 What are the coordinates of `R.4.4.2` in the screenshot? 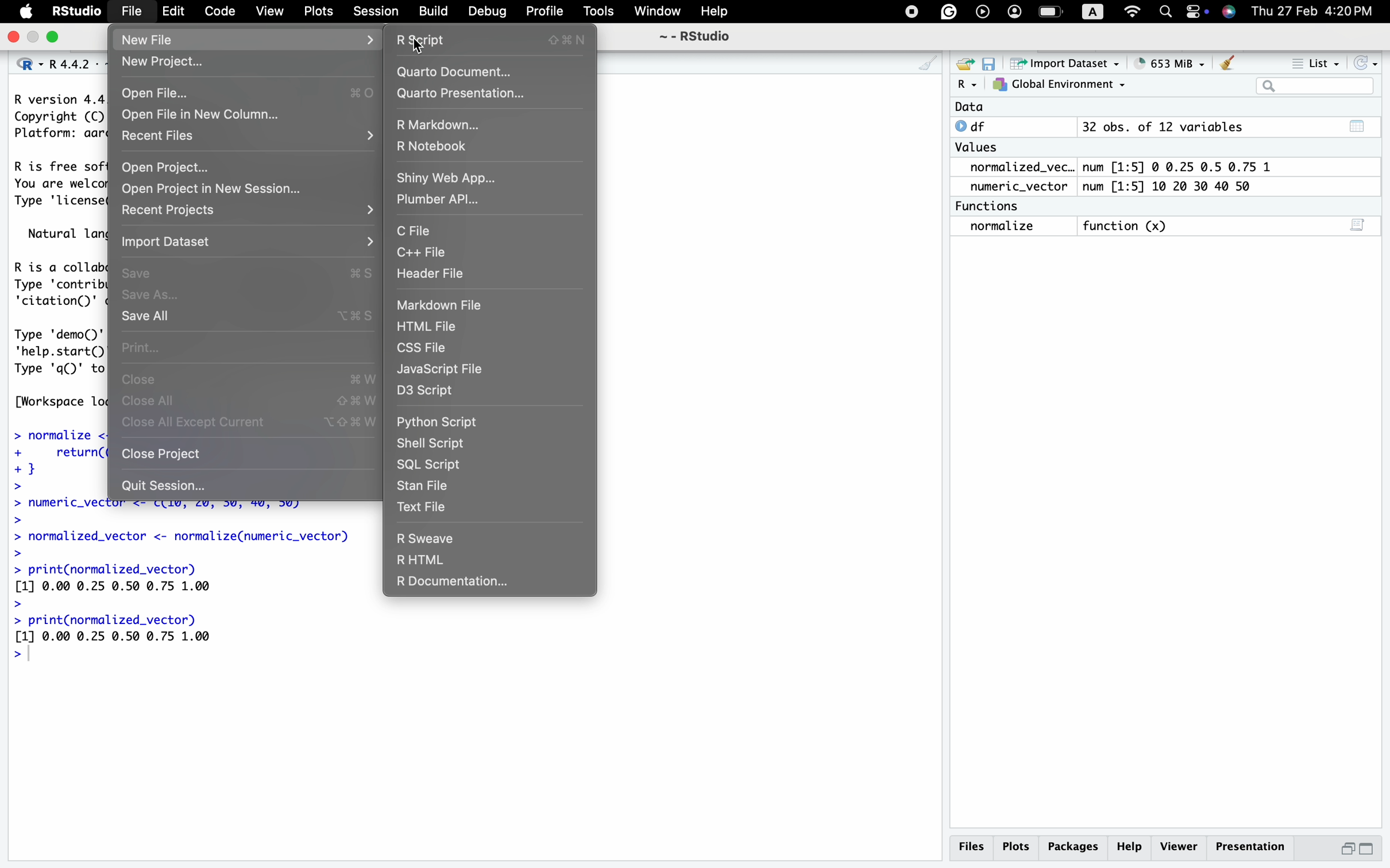 It's located at (55, 61).